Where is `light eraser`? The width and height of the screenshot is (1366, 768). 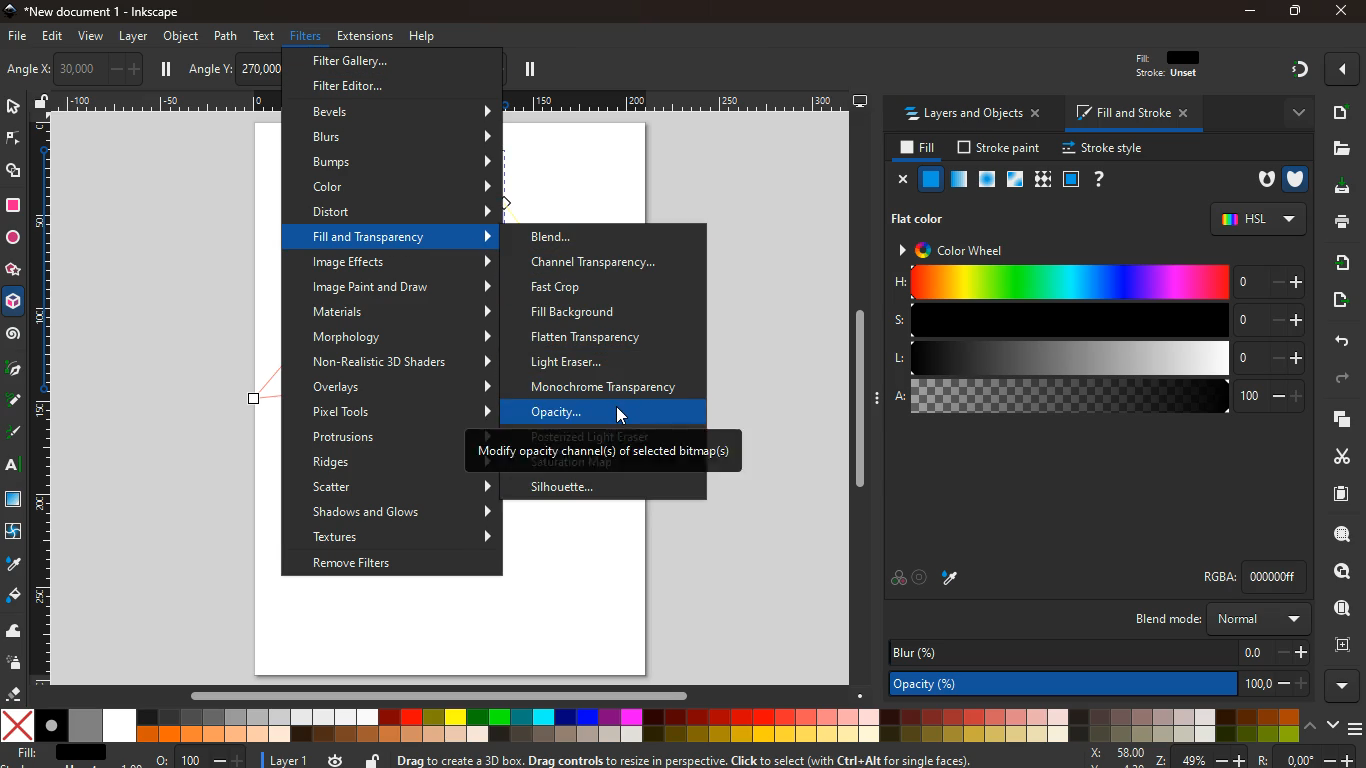
light eraser is located at coordinates (599, 362).